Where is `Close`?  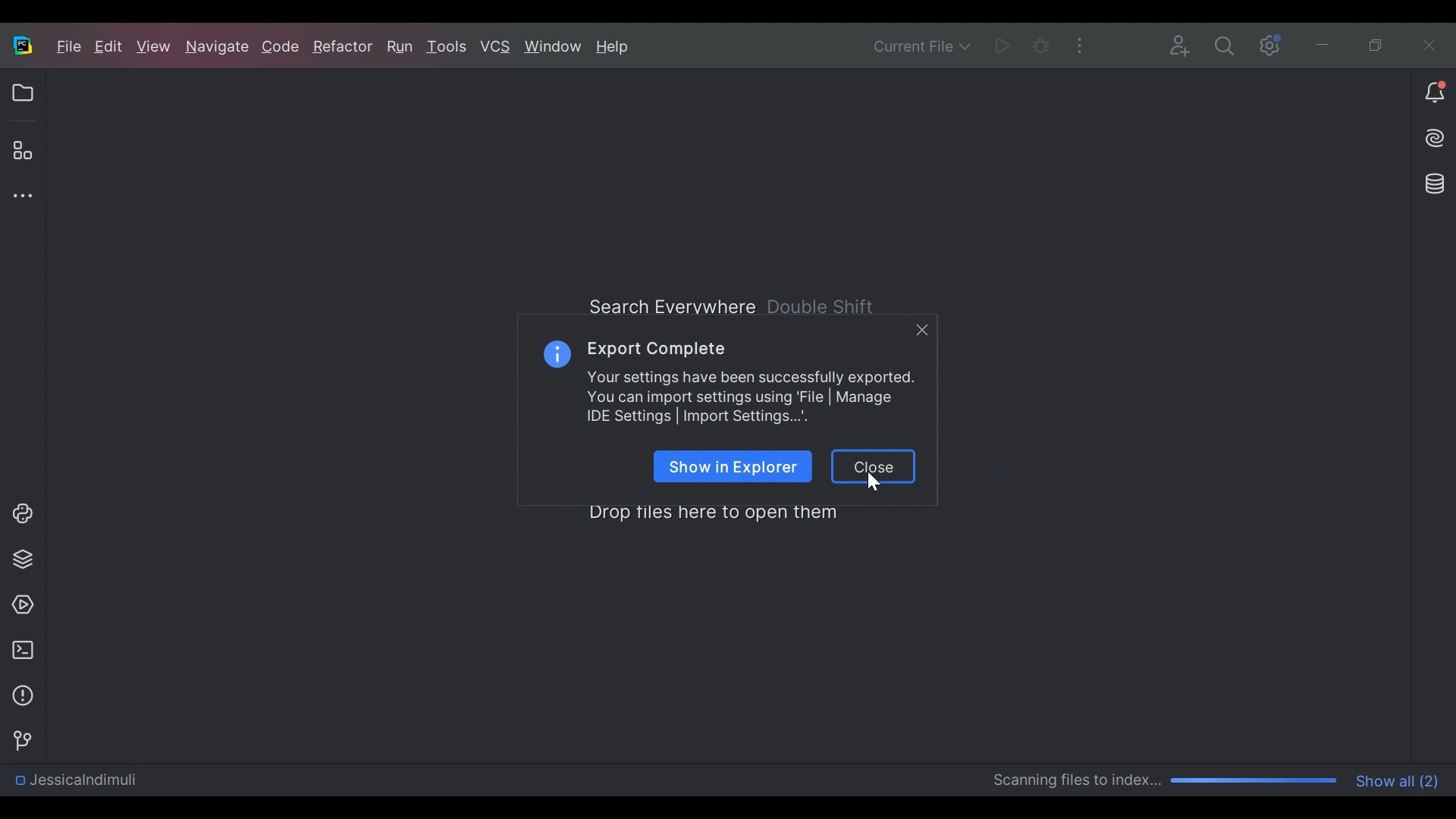
Close is located at coordinates (874, 470).